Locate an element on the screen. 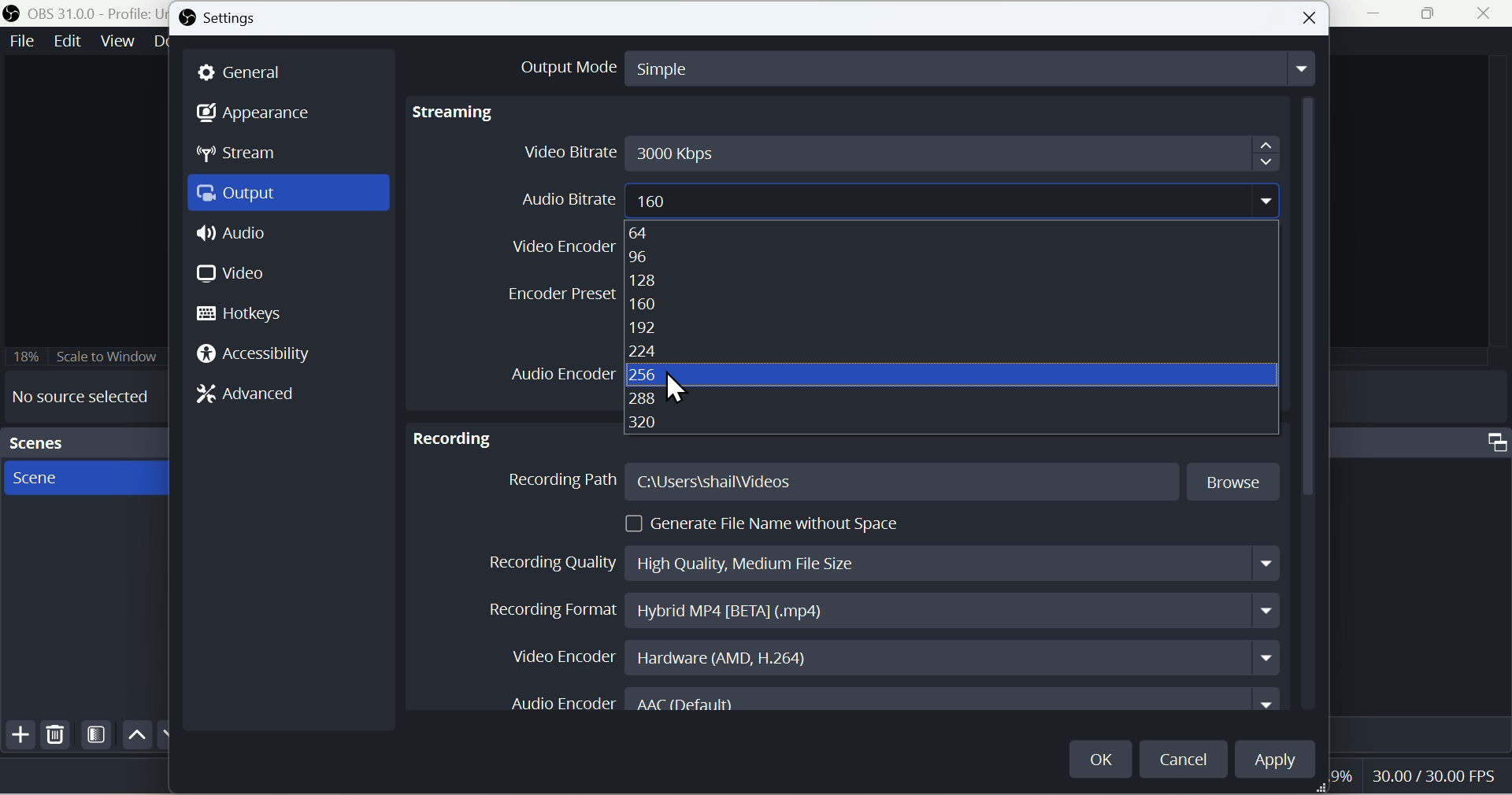 The image size is (1512, 795). Add is located at coordinates (18, 738).